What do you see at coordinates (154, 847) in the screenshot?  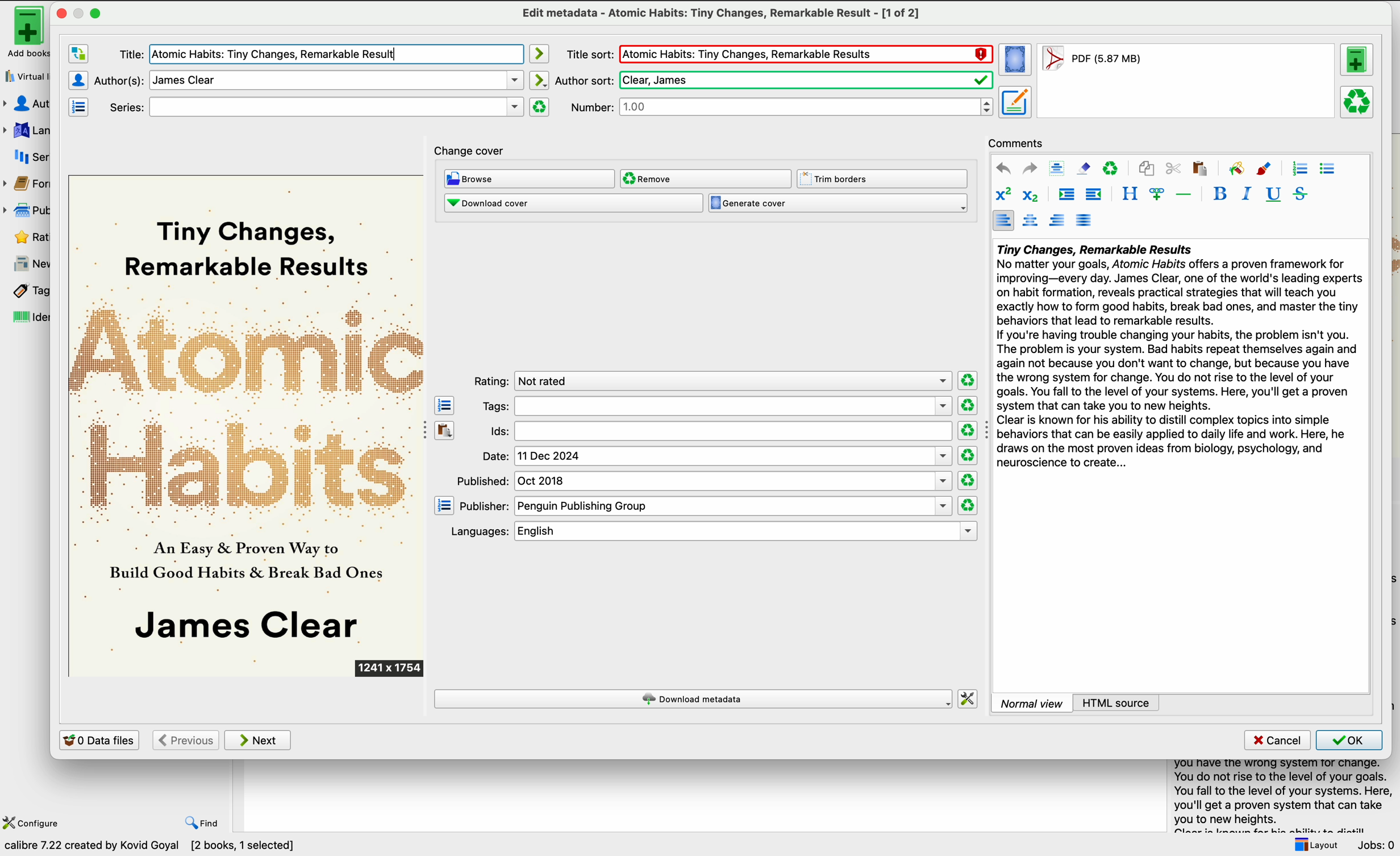 I see `data` at bounding box center [154, 847].